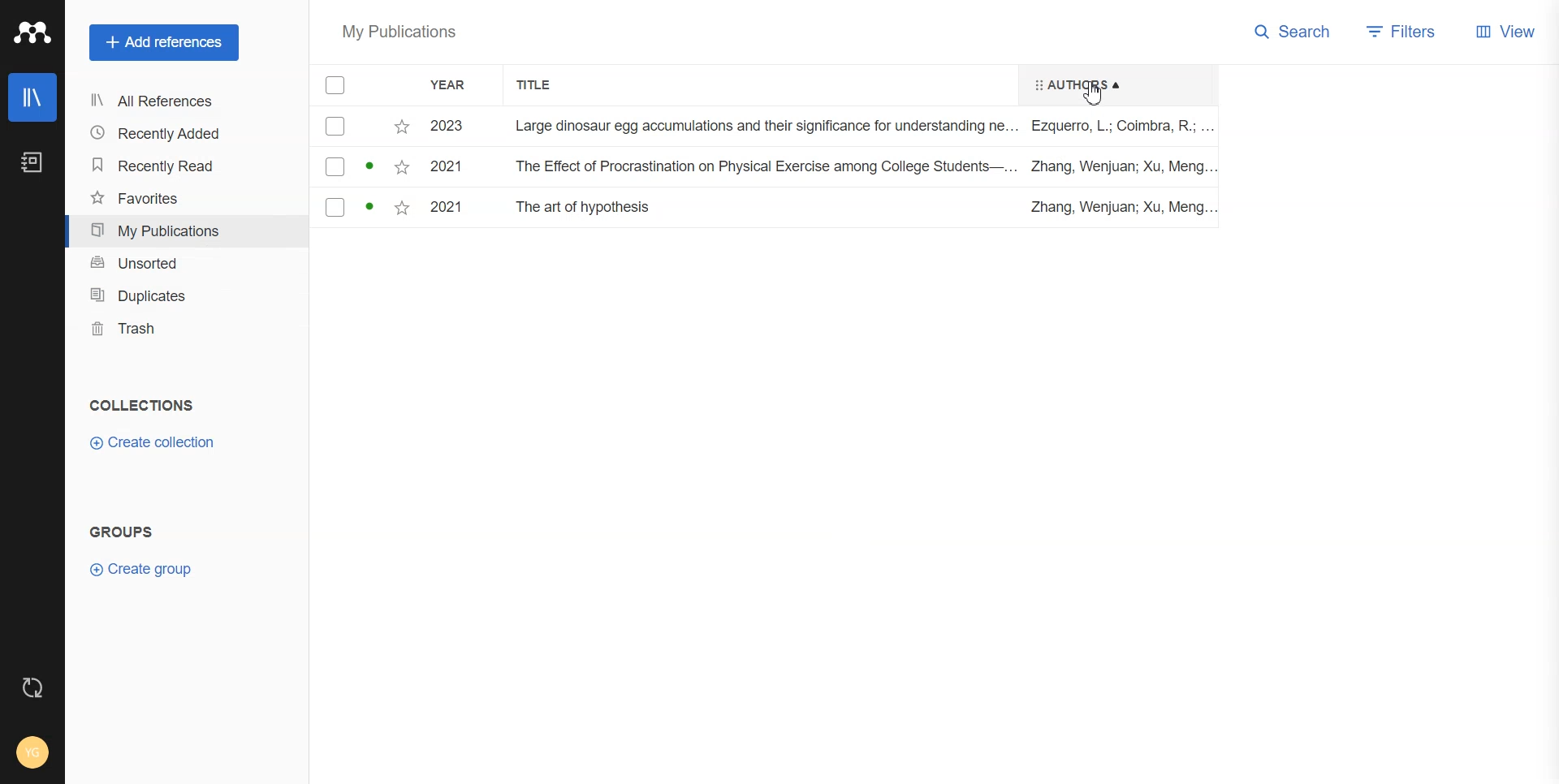 This screenshot has height=784, width=1559. What do you see at coordinates (337, 85) in the screenshot?
I see `Check mark` at bounding box center [337, 85].